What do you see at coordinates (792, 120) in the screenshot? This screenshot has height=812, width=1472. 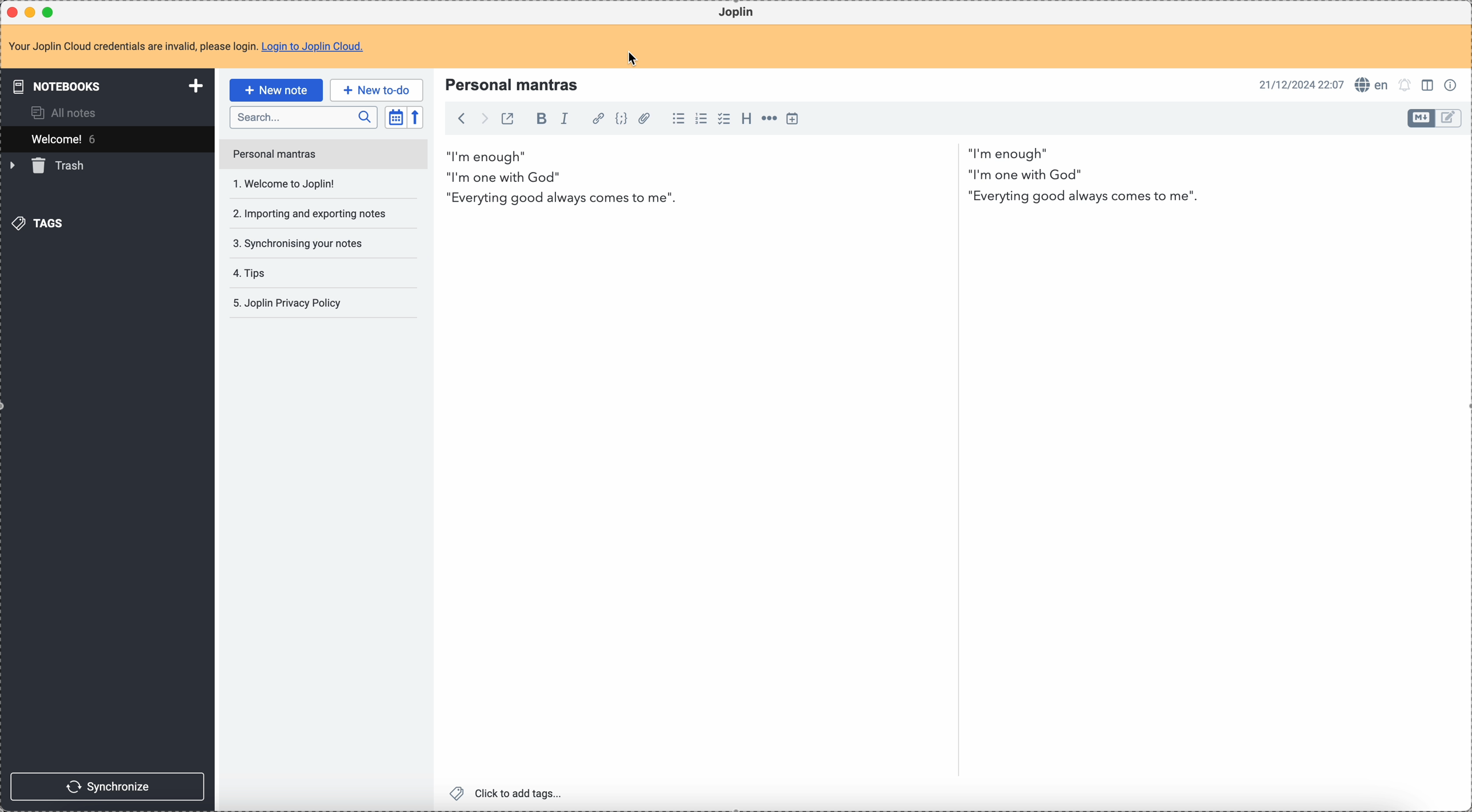 I see `insert time` at bounding box center [792, 120].